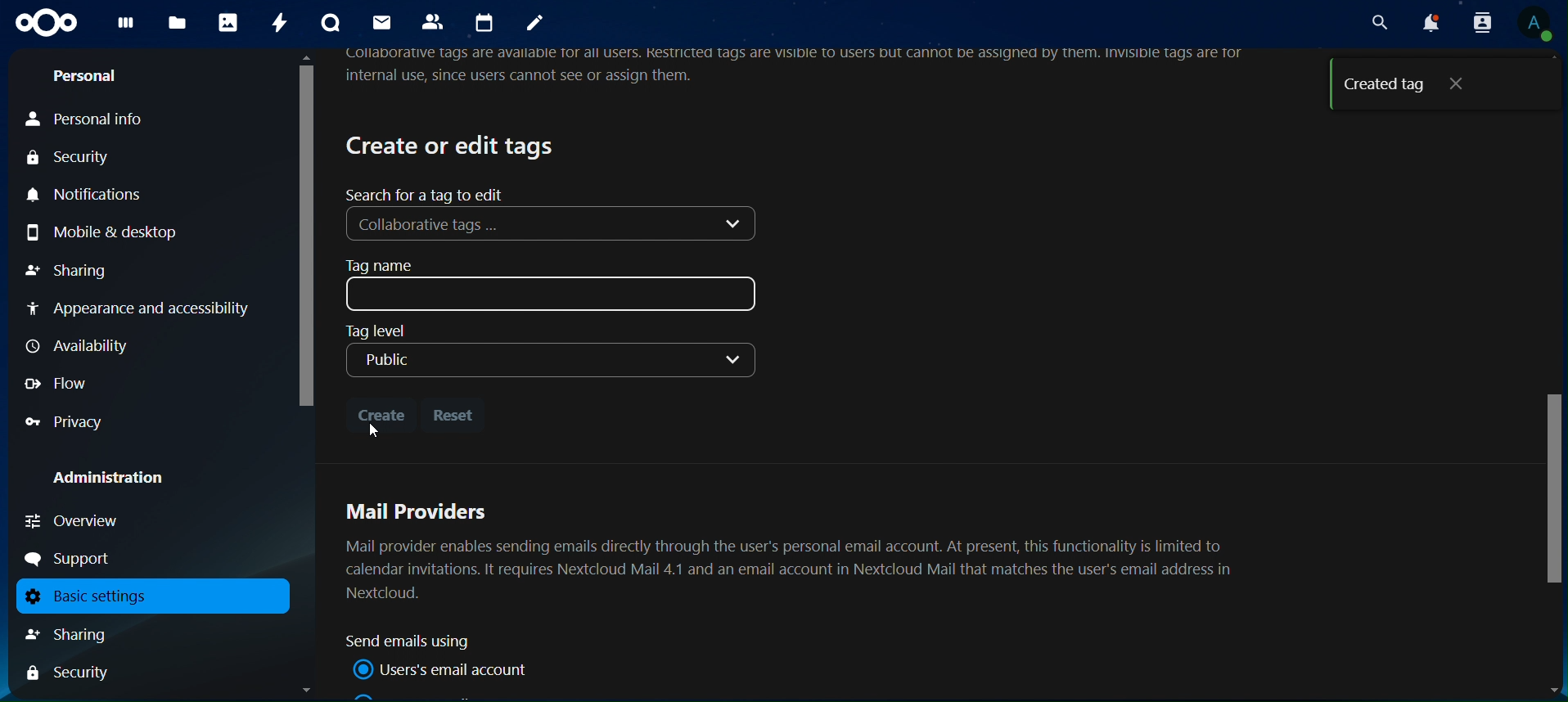  What do you see at coordinates (1476, 22) in the screenshot?
I see `search contacts` at bounding box center [1476, 22].